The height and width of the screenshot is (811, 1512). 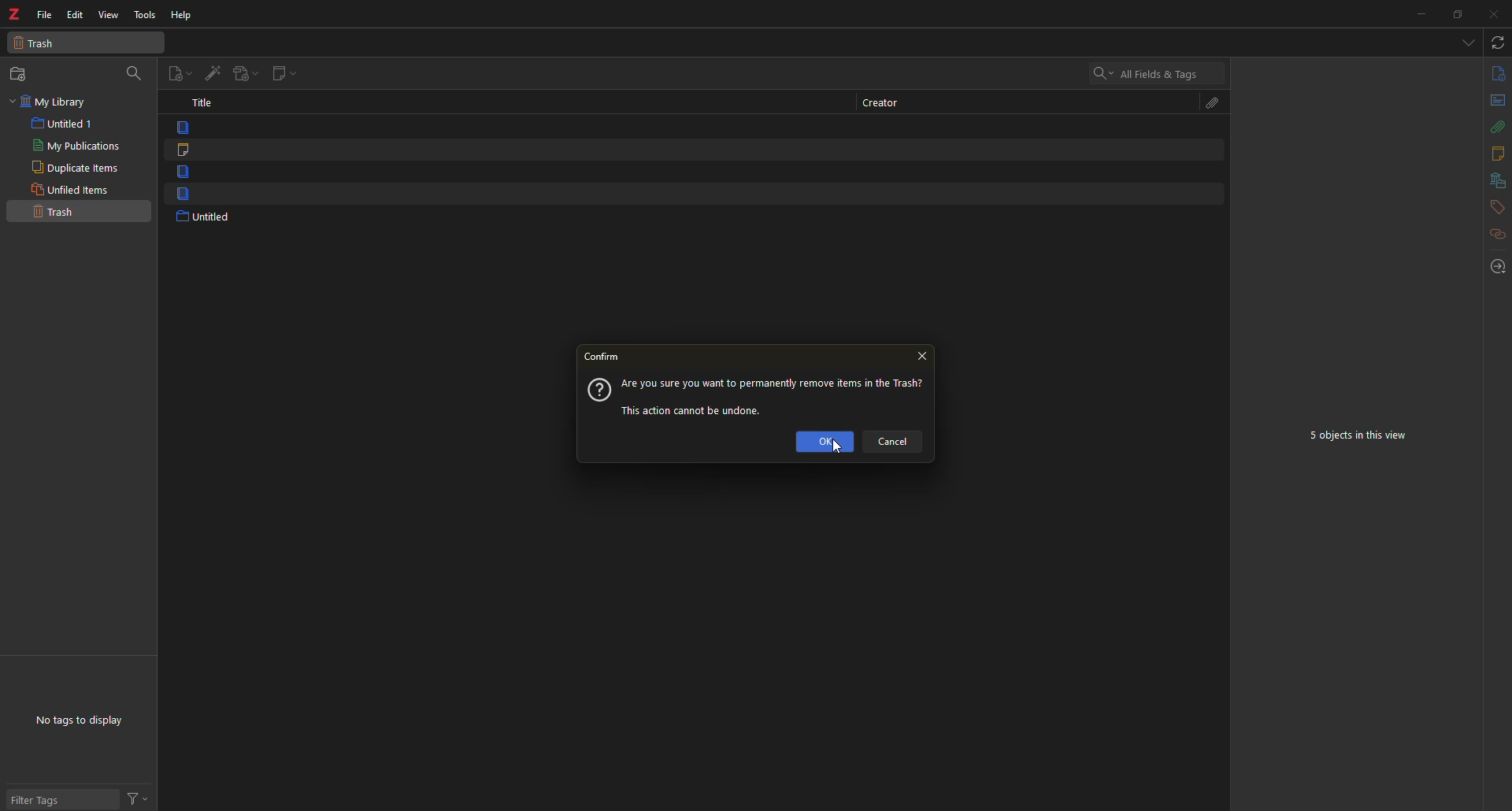 I want to click on minimize, so click(x=1419, y=14).